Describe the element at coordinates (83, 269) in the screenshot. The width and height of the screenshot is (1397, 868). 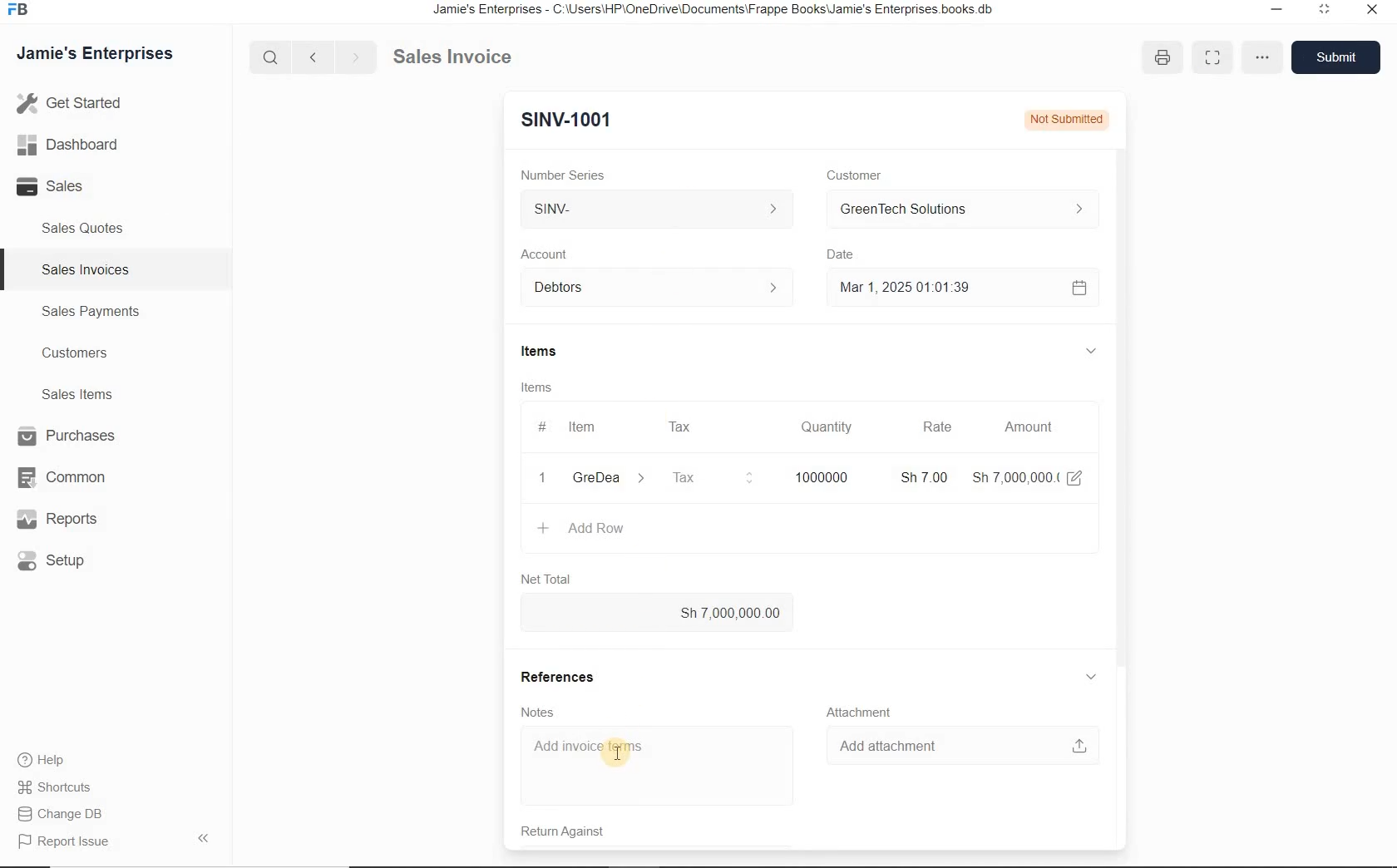
I see `Sales Invoices` at that location.